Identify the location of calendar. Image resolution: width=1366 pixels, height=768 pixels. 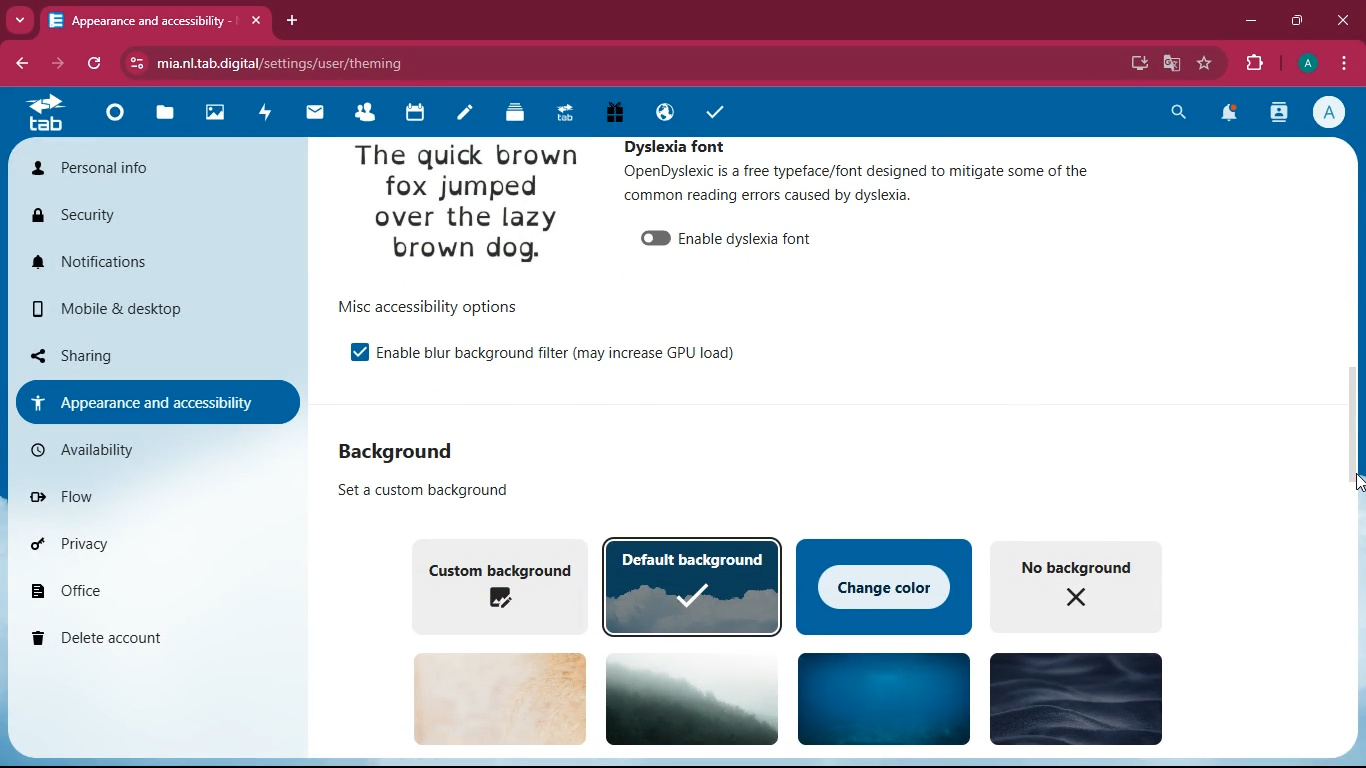
(412, 113).